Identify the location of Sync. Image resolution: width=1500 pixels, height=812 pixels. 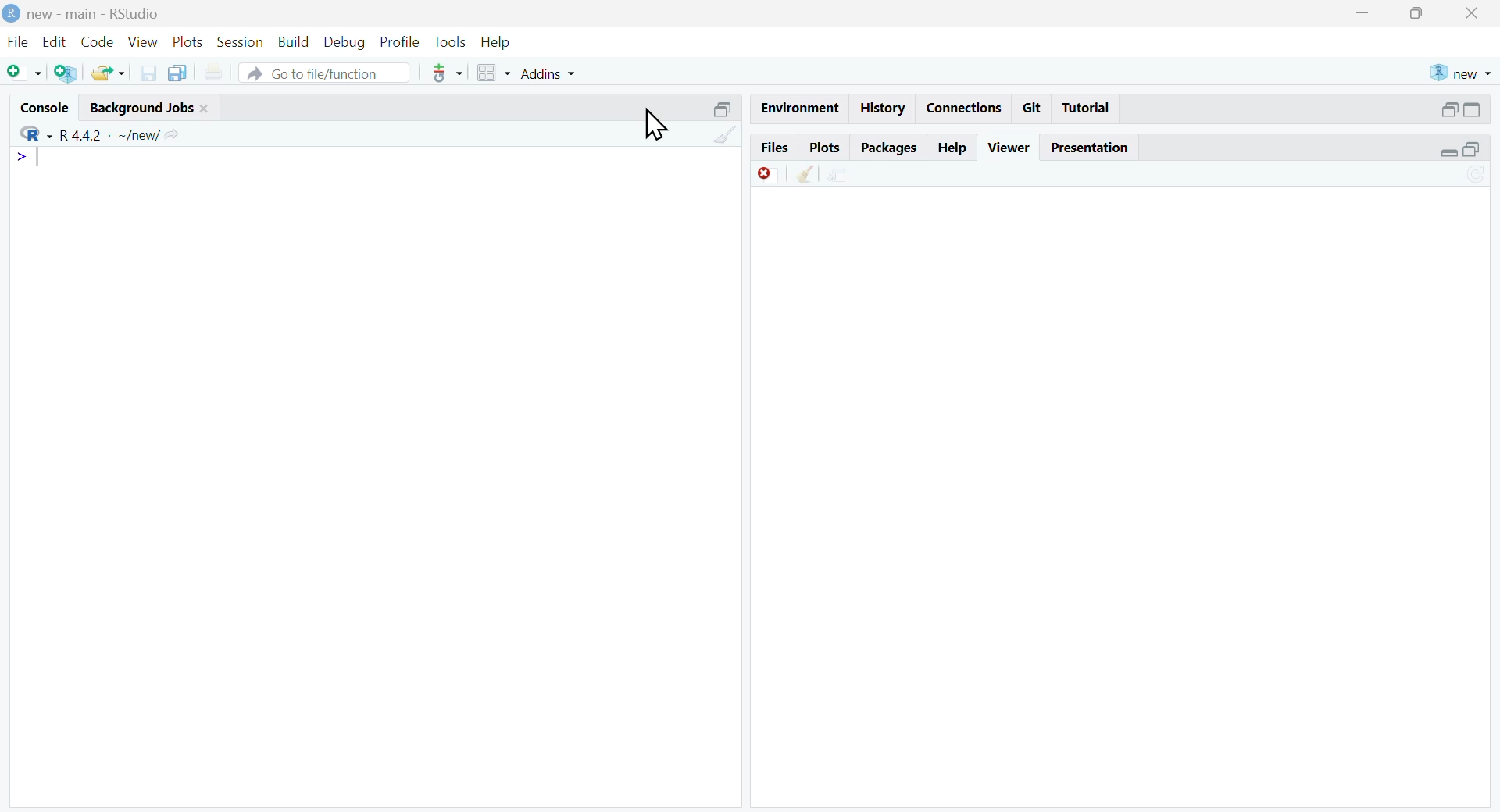
(1478, 175).